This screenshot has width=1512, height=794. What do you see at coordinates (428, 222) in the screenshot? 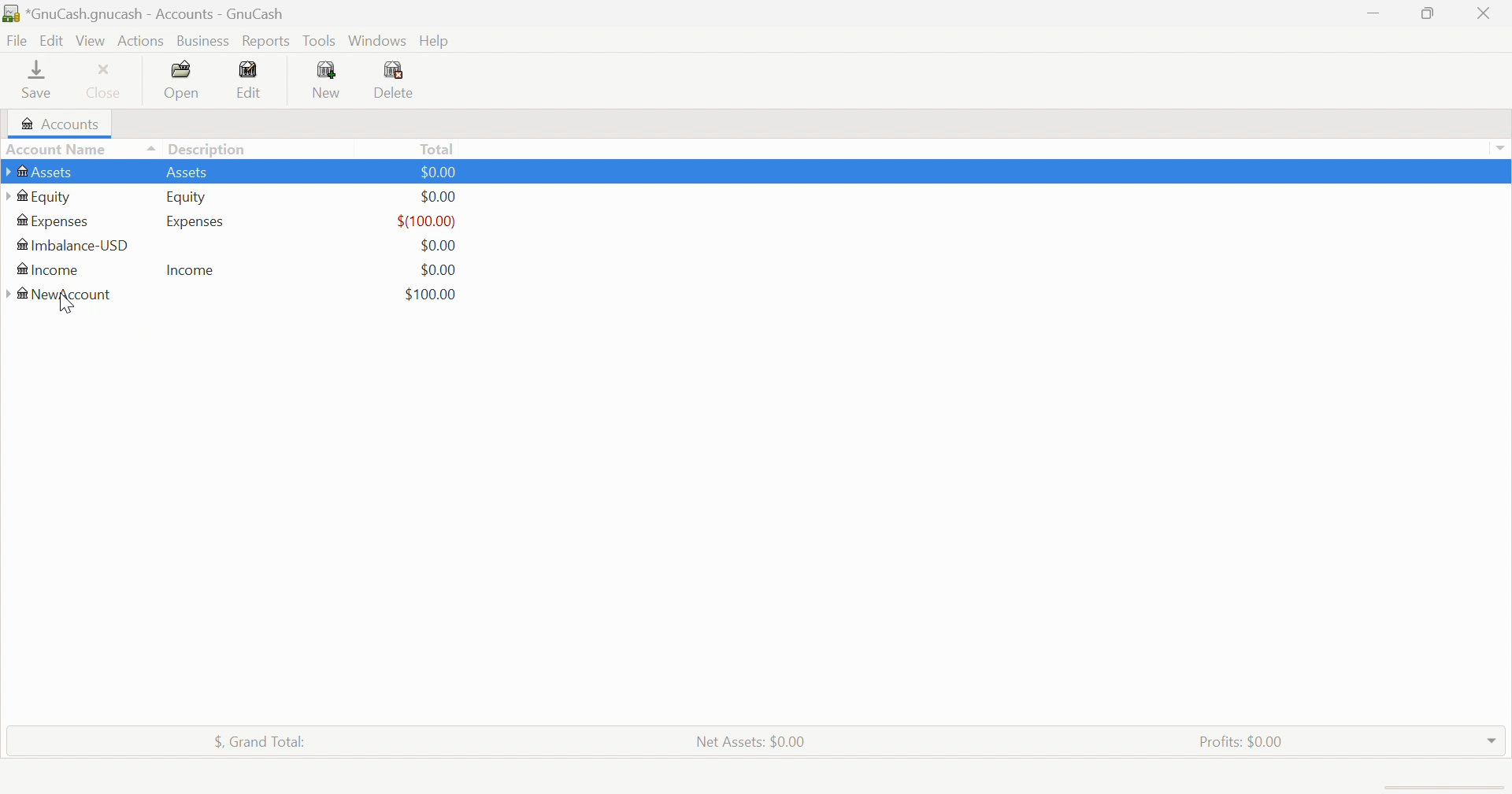
I see `$(100.00)` at bounding box center [428, 222].